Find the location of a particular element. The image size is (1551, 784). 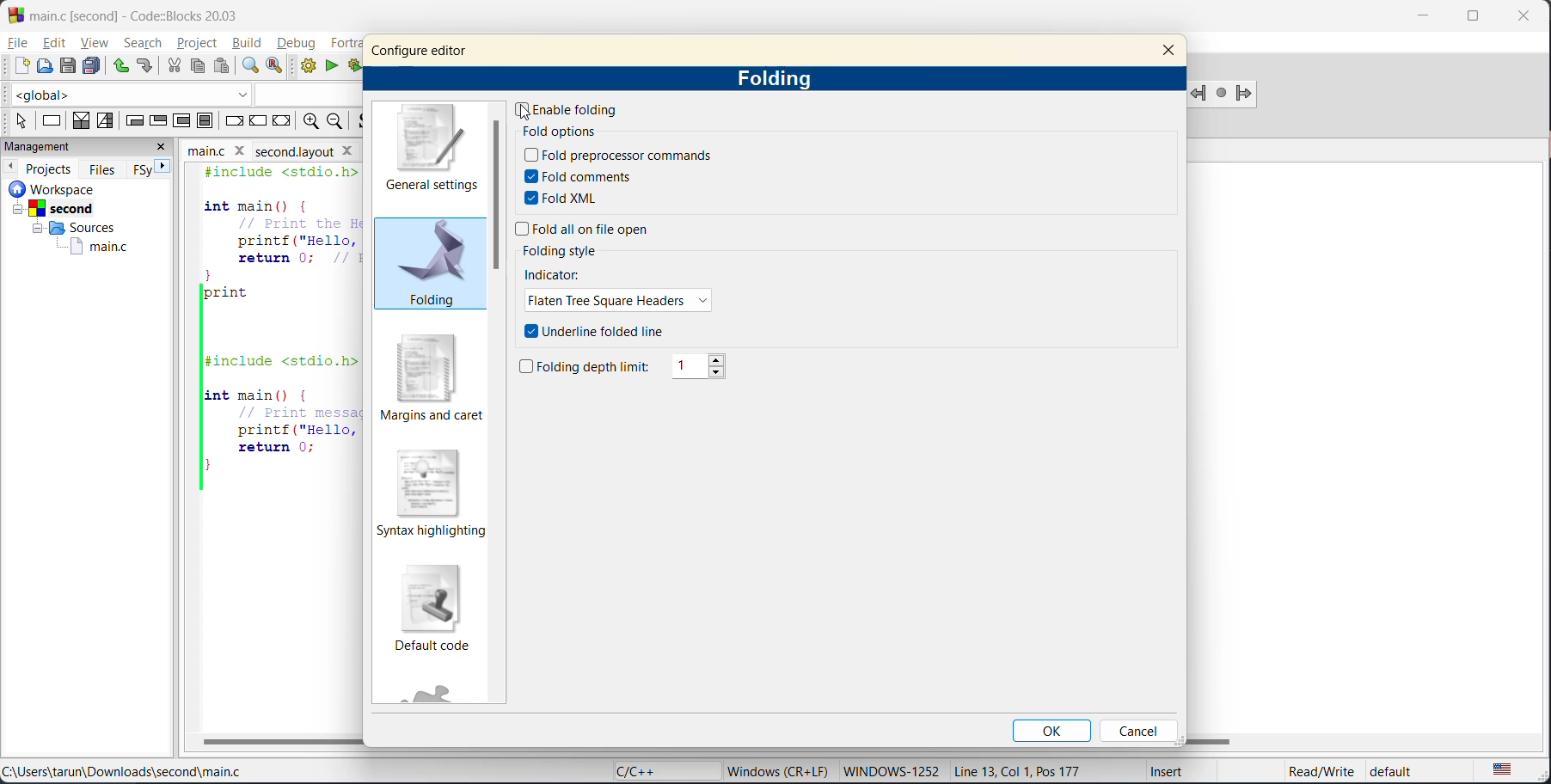

close is located at coordinates (1170, 52).